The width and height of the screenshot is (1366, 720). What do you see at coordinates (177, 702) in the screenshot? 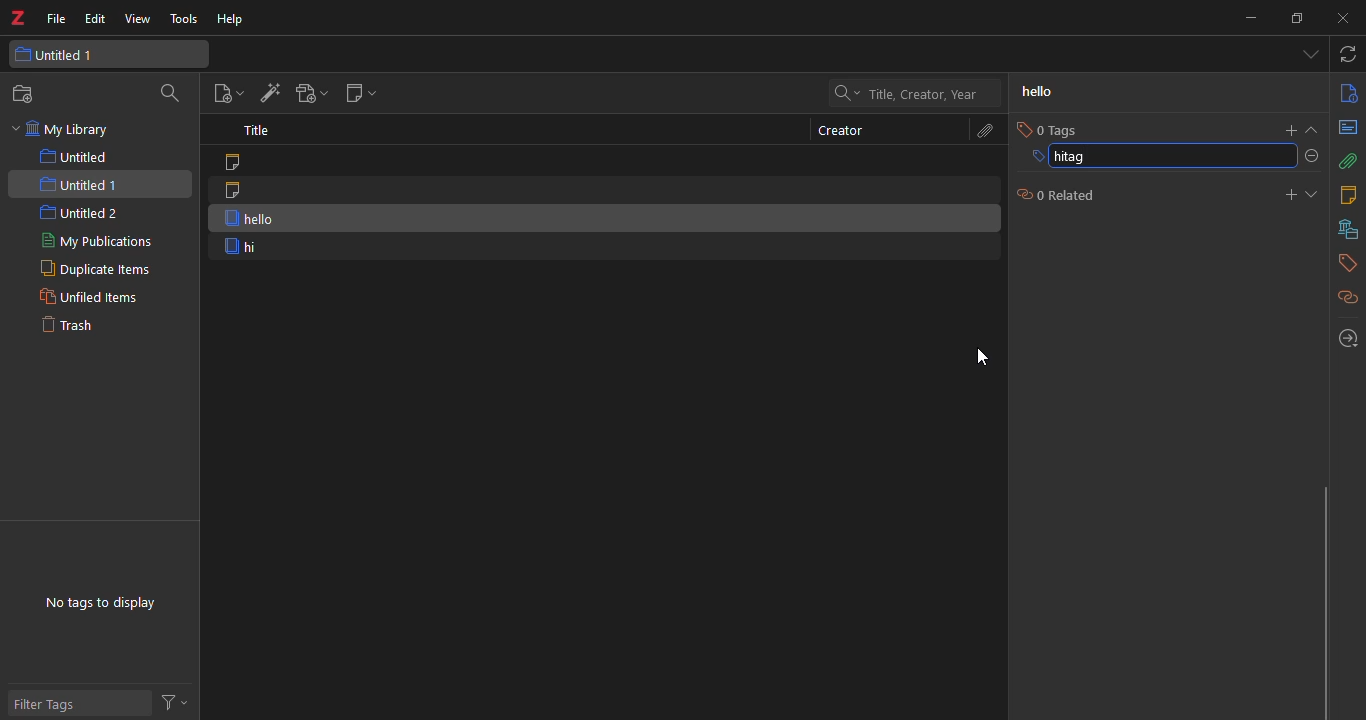
I see `actions` at bounding box center [177, 702].